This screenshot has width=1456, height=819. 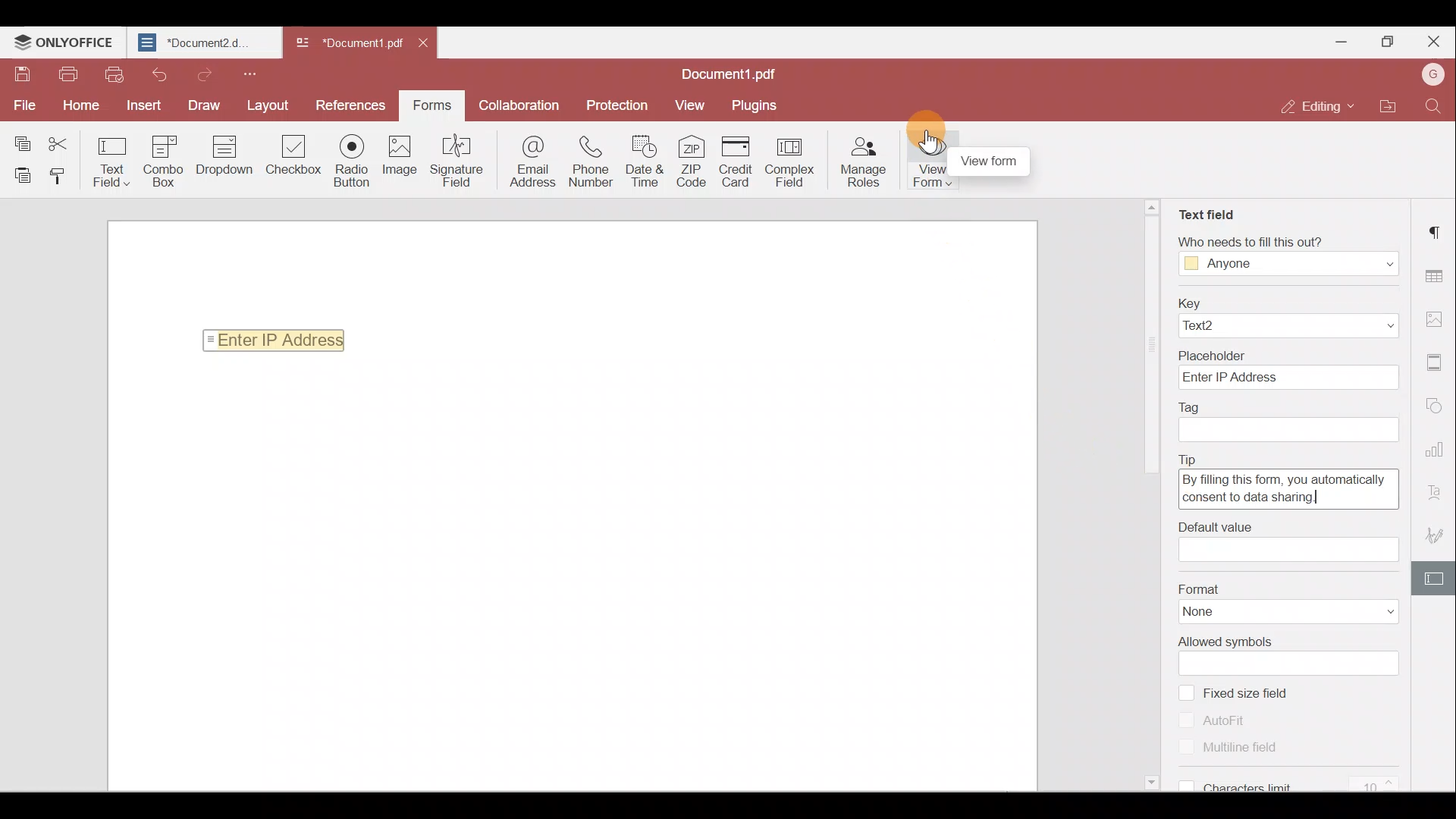 I want to click on Print file, so click(x=67, y=74).